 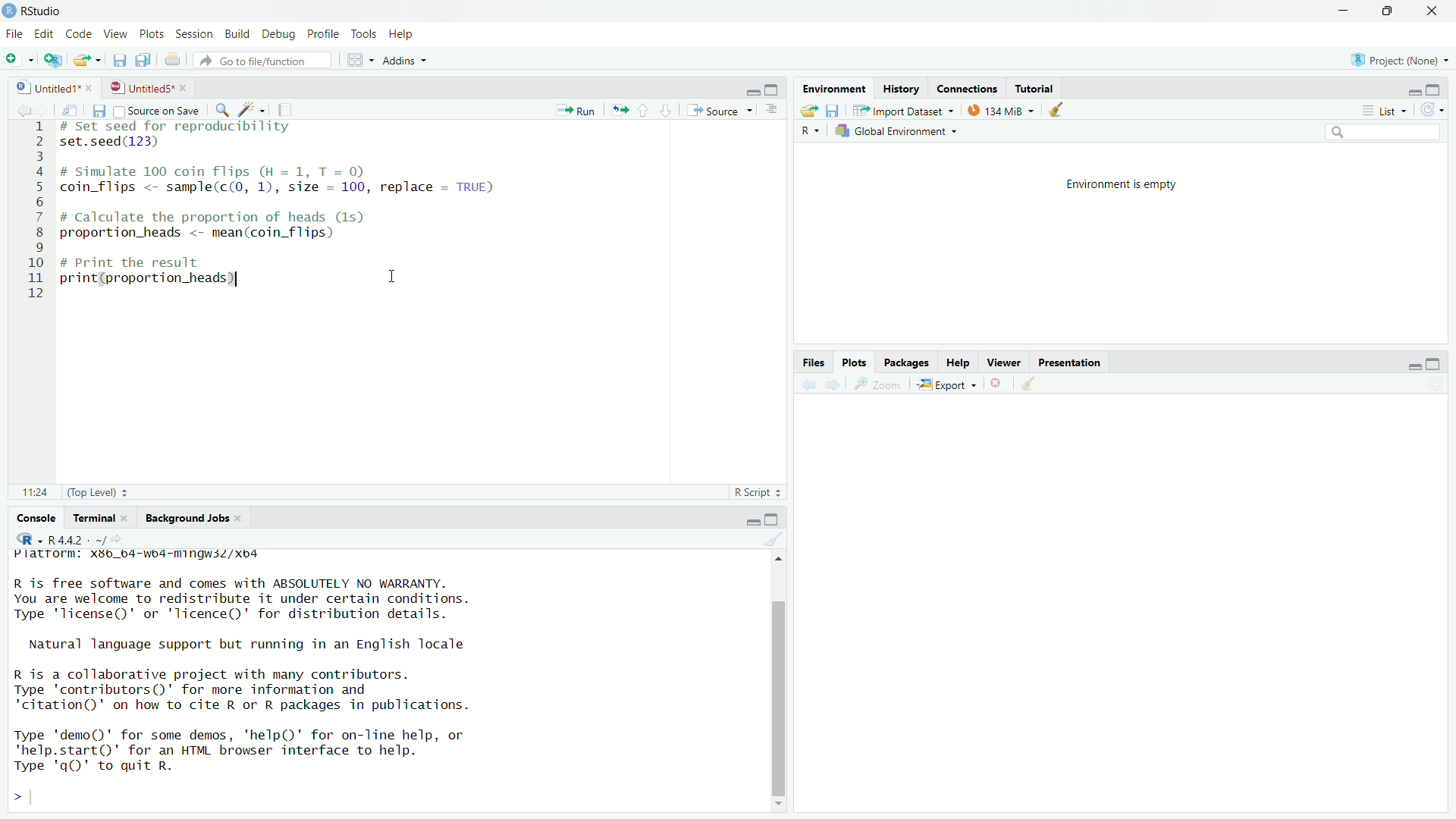 What do you see at coordinates (18, 59) in the screenshot?
I see `new file` at bounding box center [18, 59].